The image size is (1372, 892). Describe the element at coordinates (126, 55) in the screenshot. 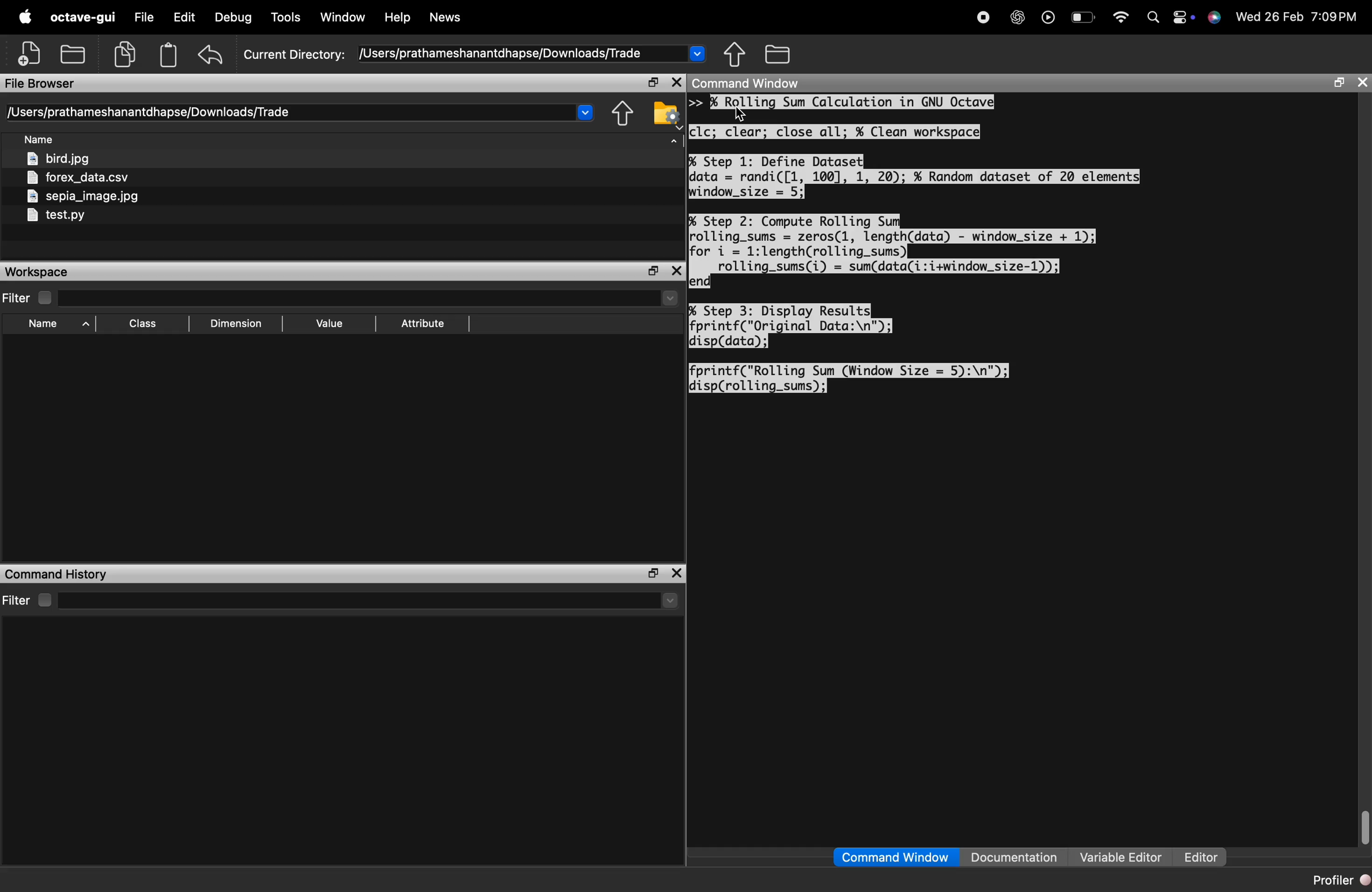

I see `copy` at that location.